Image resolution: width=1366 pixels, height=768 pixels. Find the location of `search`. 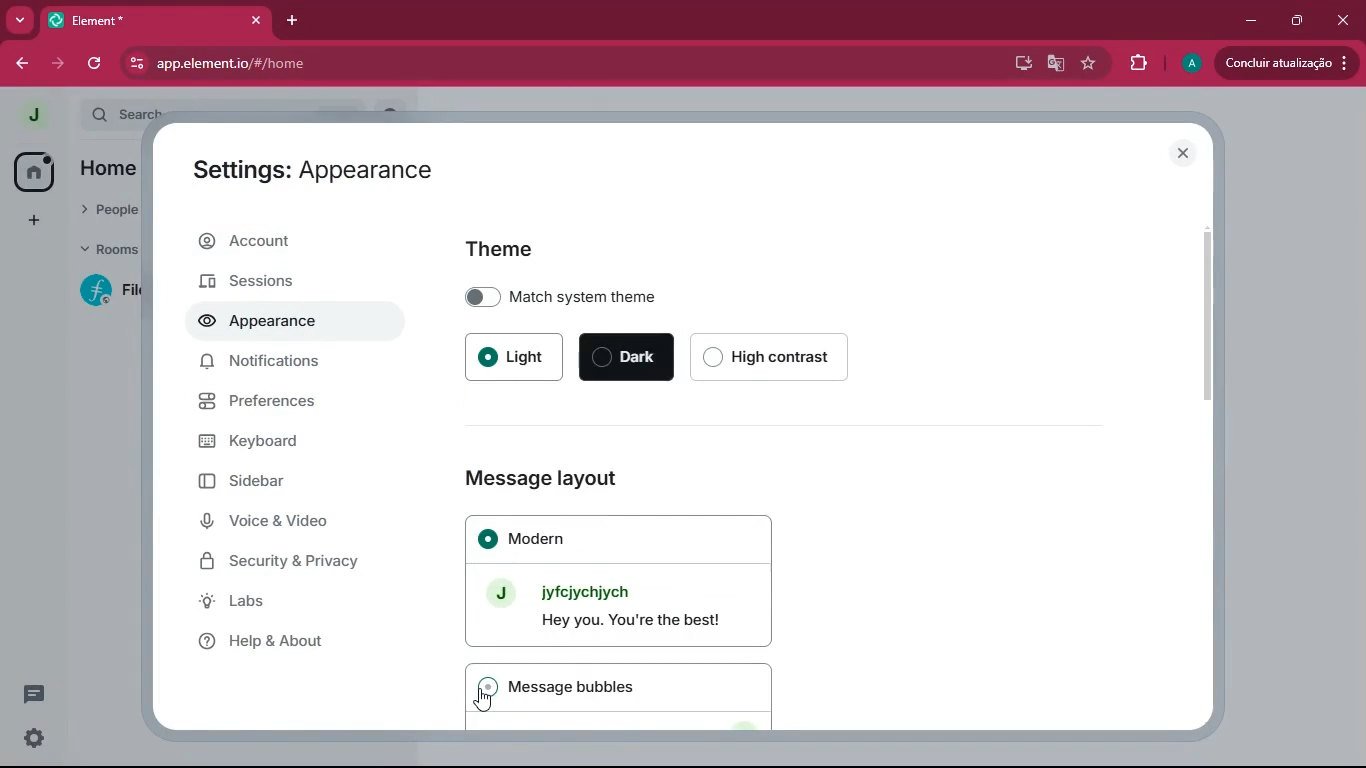

search is located at coordinates (125, 114).